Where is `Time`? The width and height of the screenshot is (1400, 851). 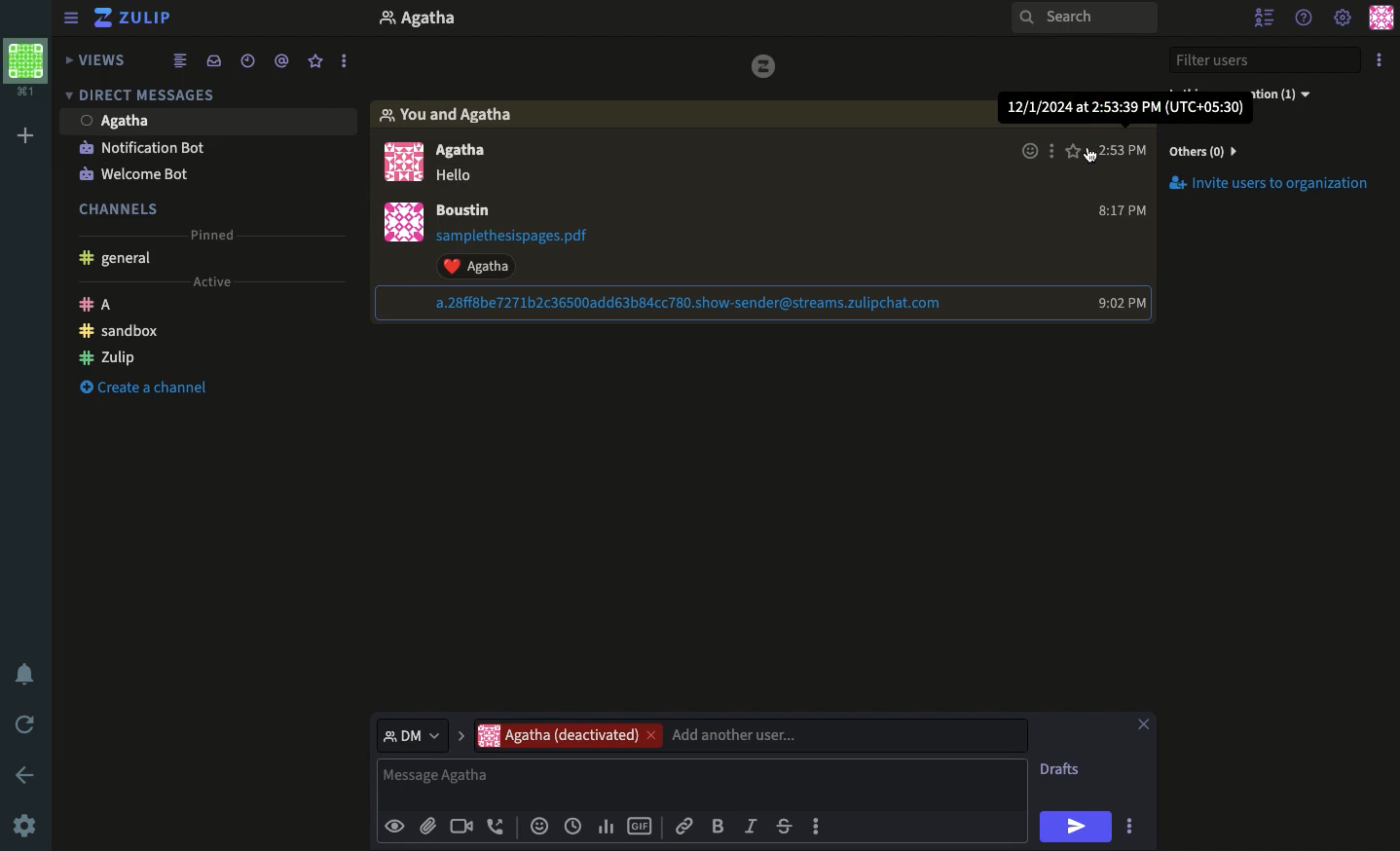 Time is located at coordinates (1118, 301).